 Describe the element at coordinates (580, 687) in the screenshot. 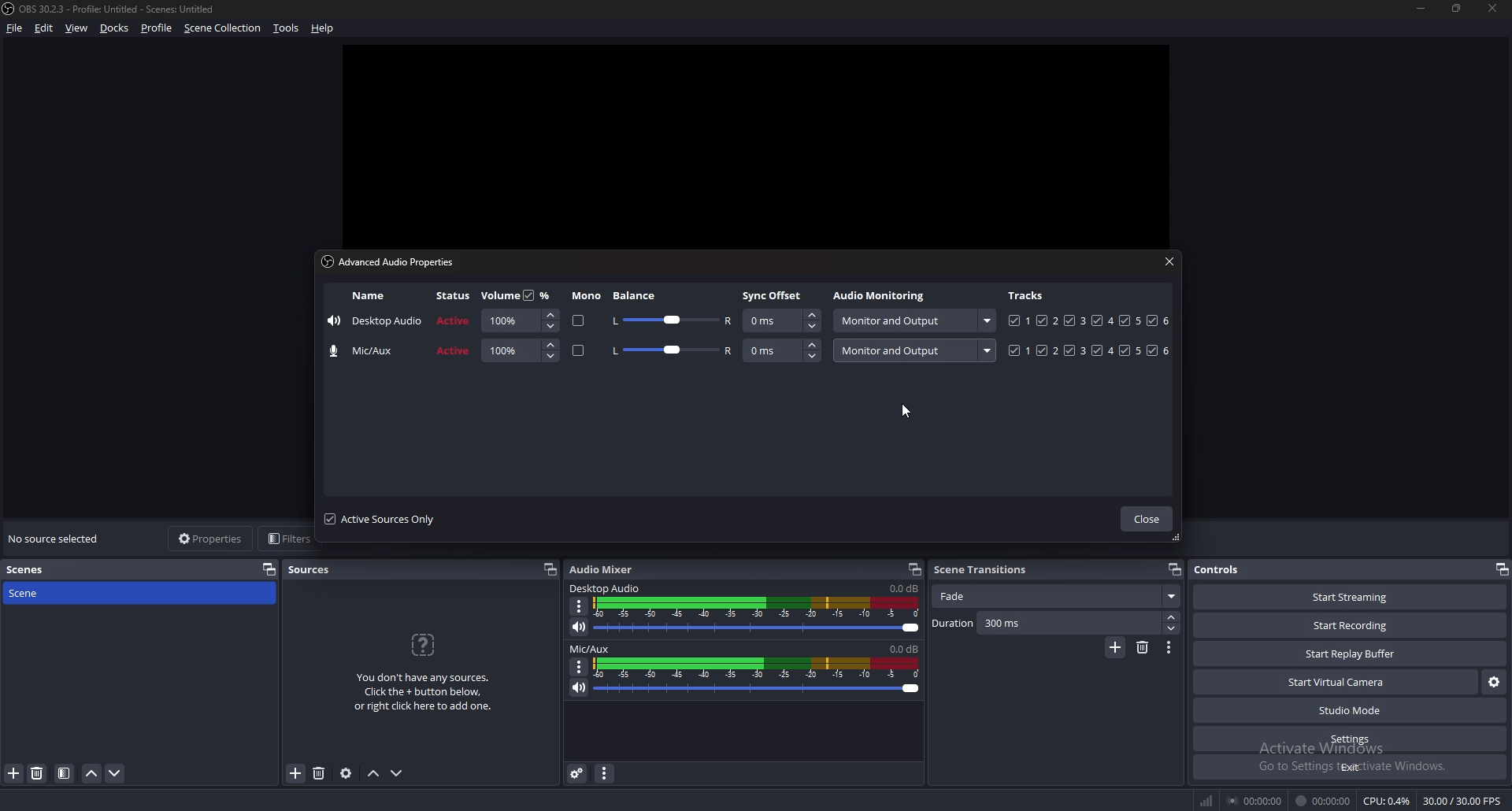

I see `mute` at that location.